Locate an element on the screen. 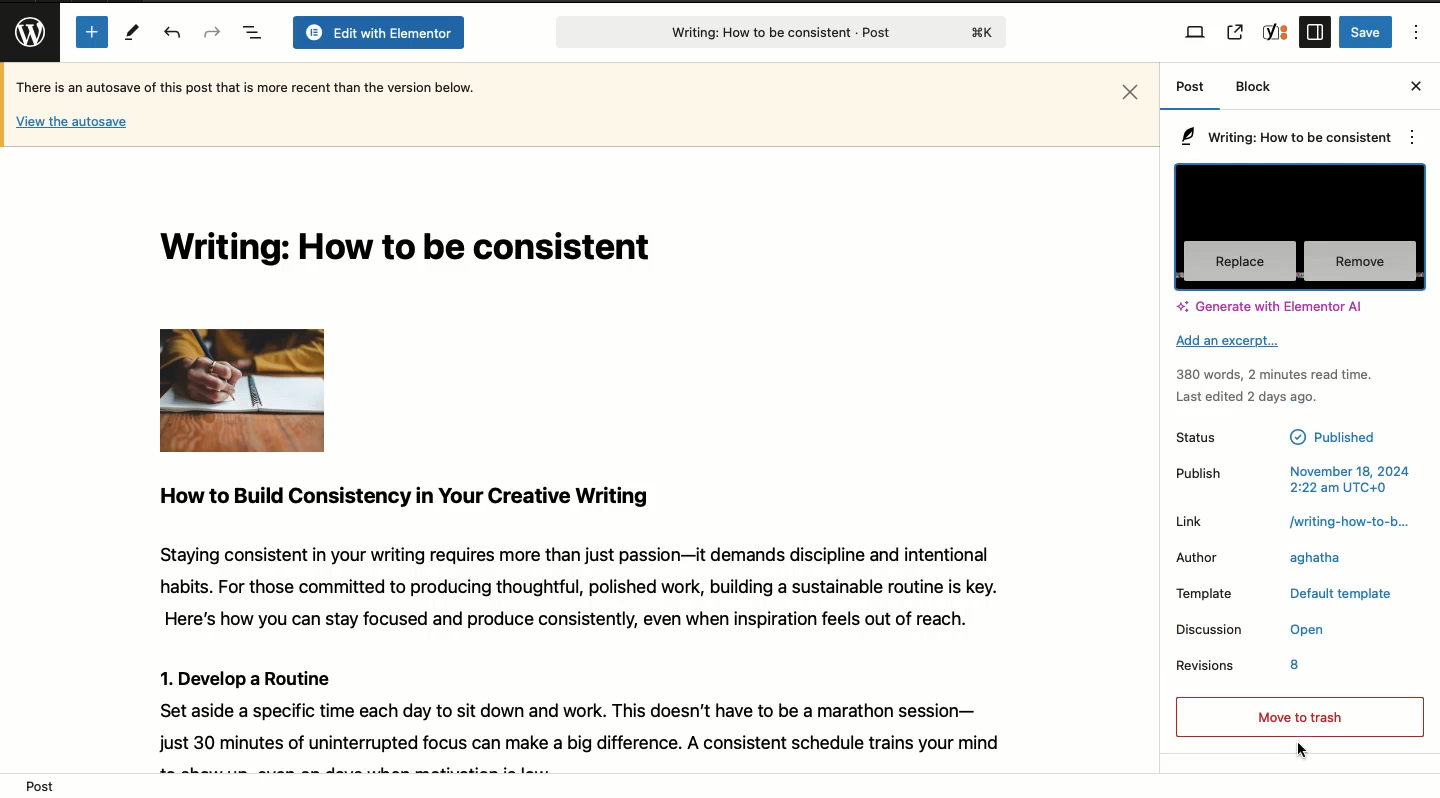 Image resolution: width=1440 pixels, height=798 pixels. /writing-how-to-b... is located at coordinates (1340, 521).